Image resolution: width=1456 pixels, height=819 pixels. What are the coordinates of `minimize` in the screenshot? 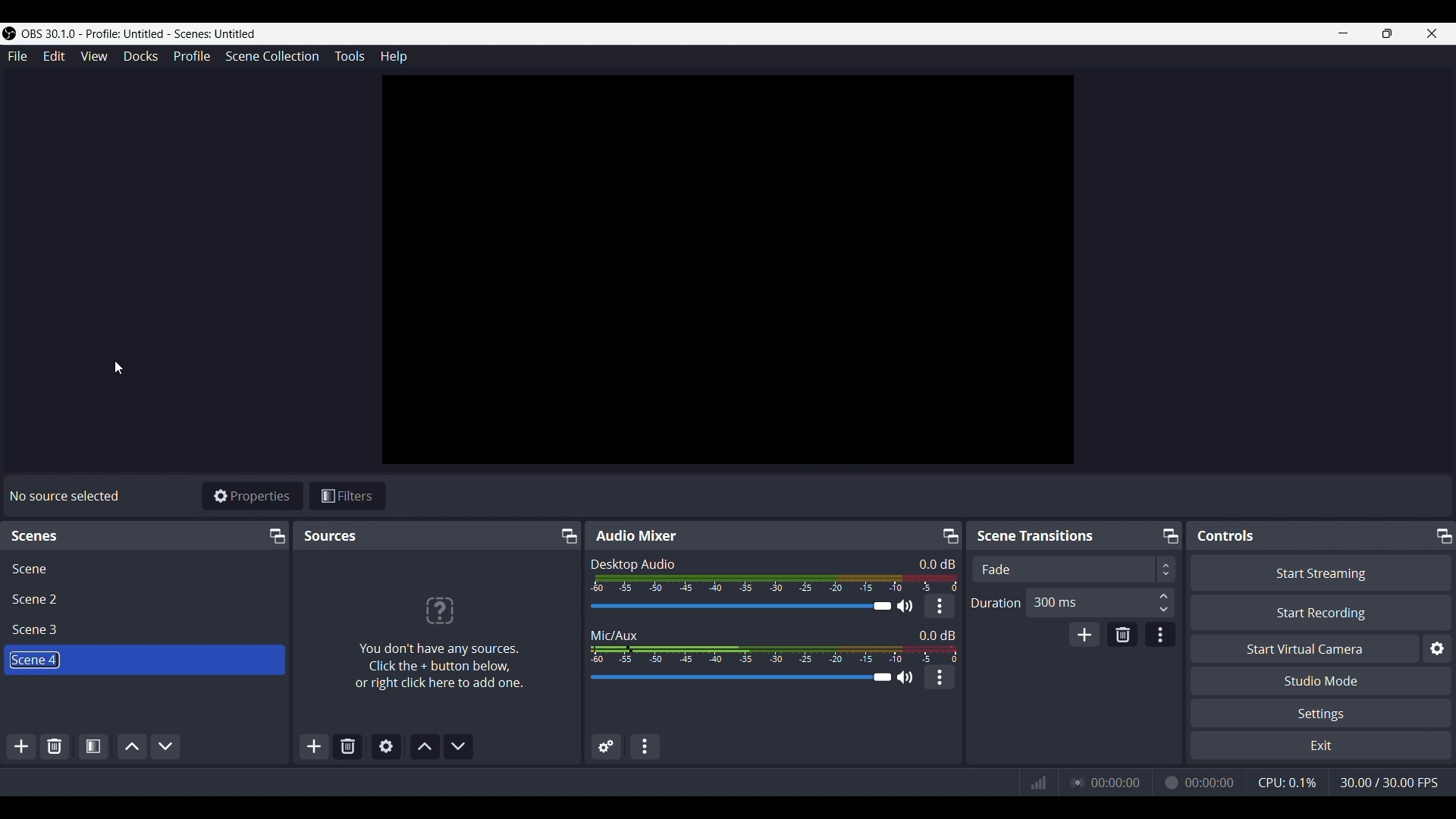 It's located at (1342, 33).